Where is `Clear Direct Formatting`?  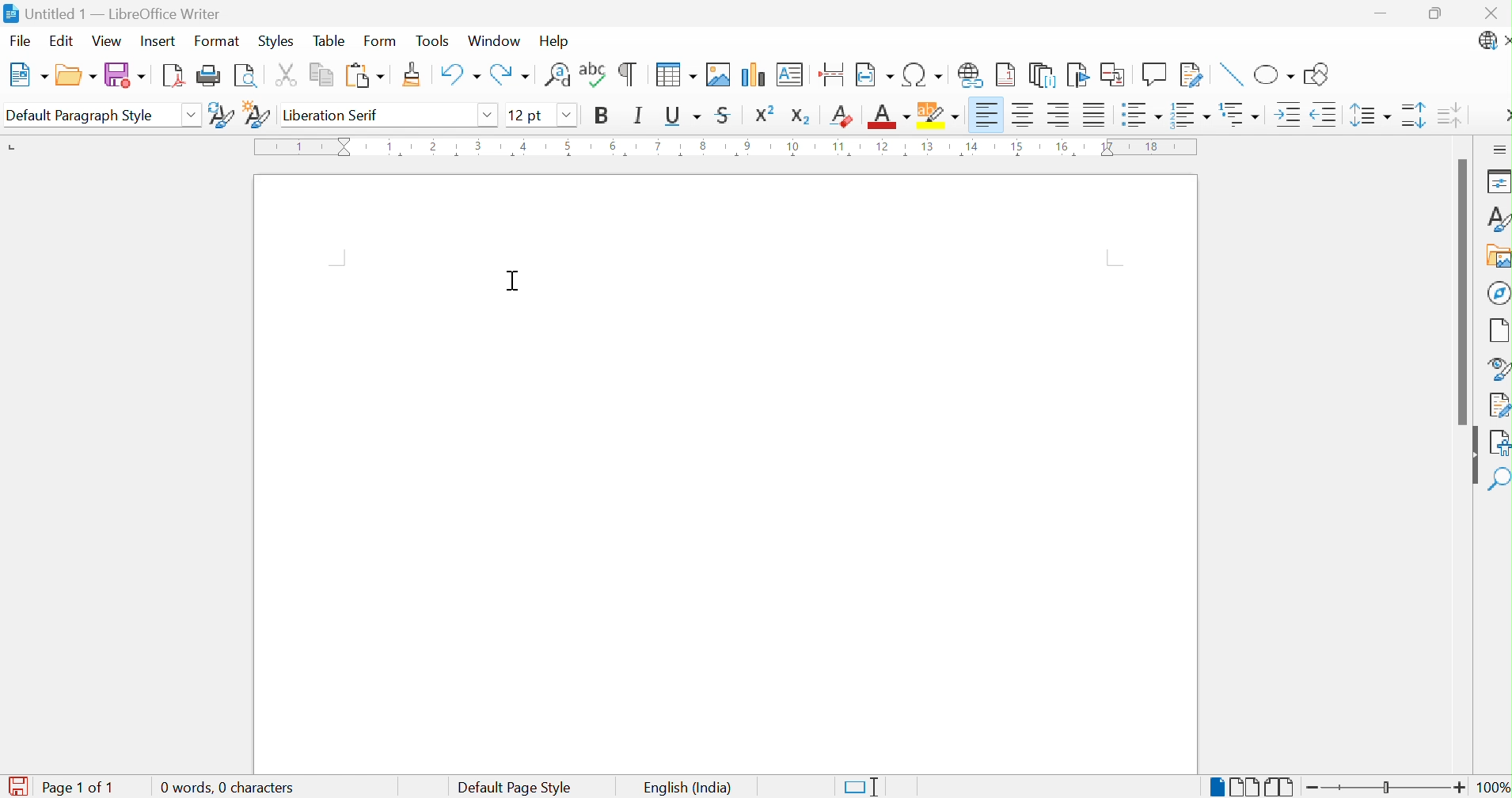
Clear Direct Formatting is located at coordinates (843, 117).